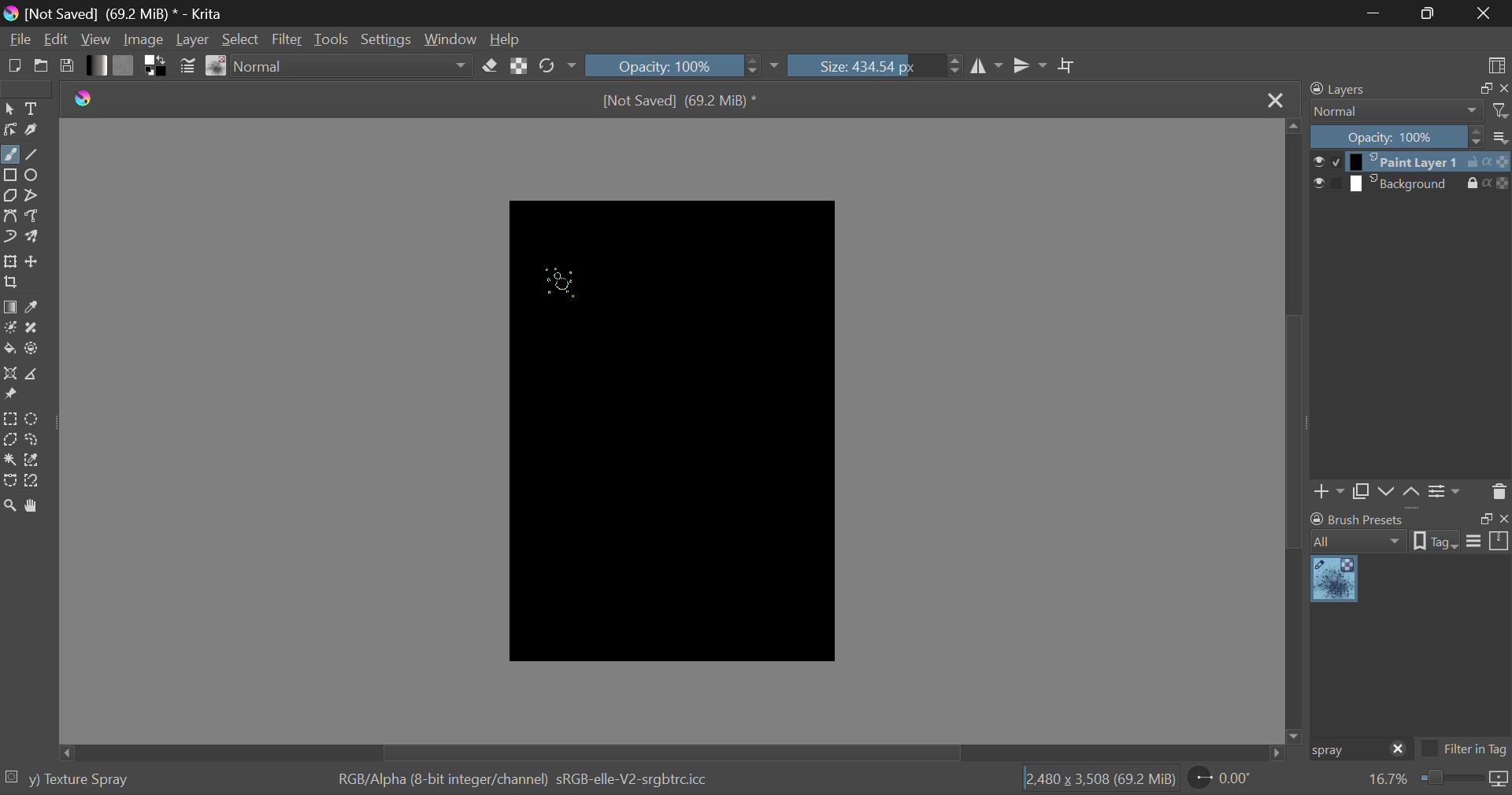 Image resolution: width=1512 pixels, height=795 pixels. I want to click on Layer Movement down, so click(1388, 493).